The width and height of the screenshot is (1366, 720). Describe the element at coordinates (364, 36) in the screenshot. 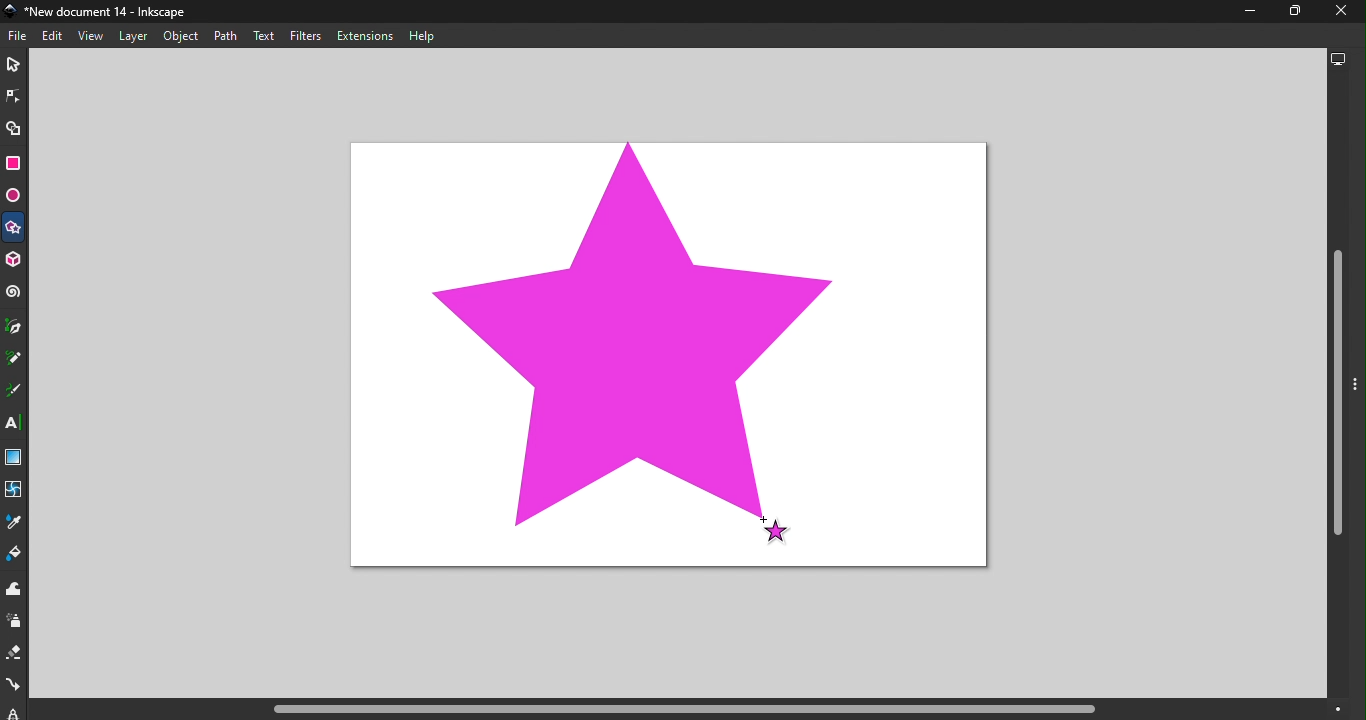

I see `Extensions` at that location.